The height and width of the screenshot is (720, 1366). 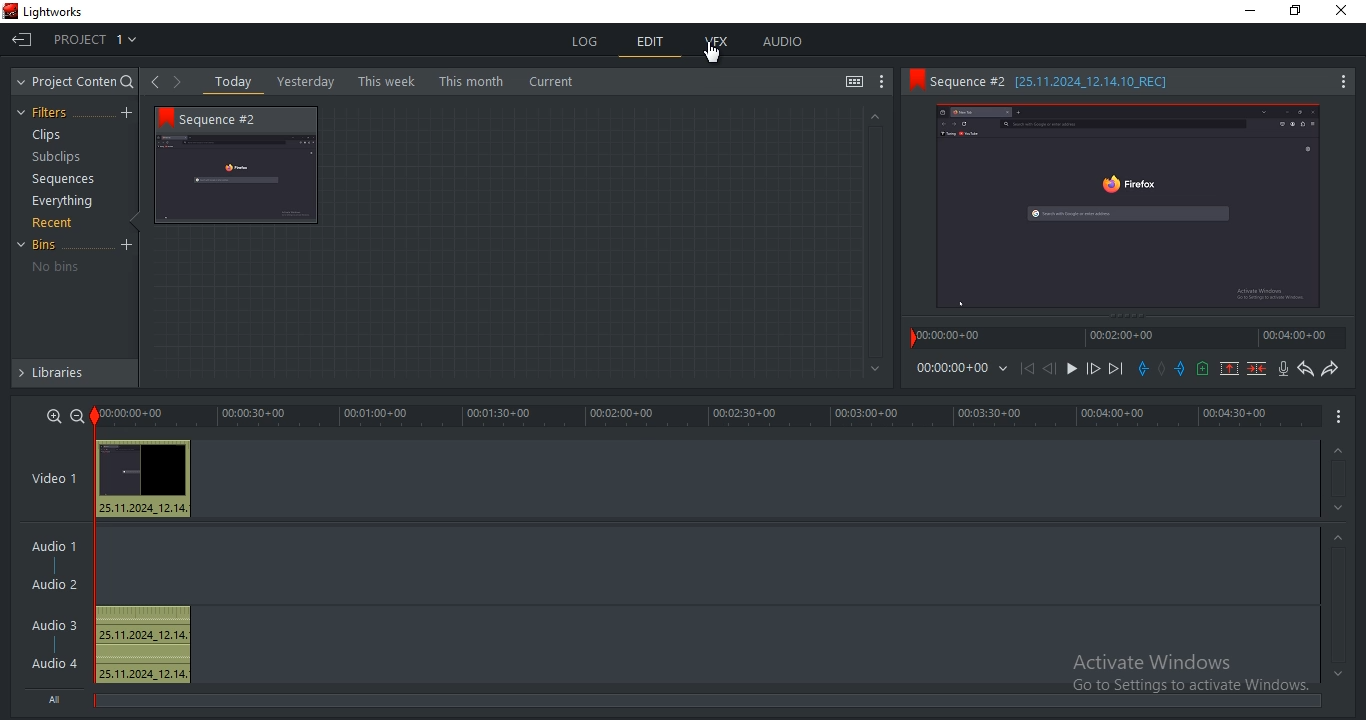 What do you see at coordinates (144, 645) in the screenshot?
I see `Audio clip: 25.11.2024_1.14., 25.11.2024_1.14.` at bounding box center [144, 645].